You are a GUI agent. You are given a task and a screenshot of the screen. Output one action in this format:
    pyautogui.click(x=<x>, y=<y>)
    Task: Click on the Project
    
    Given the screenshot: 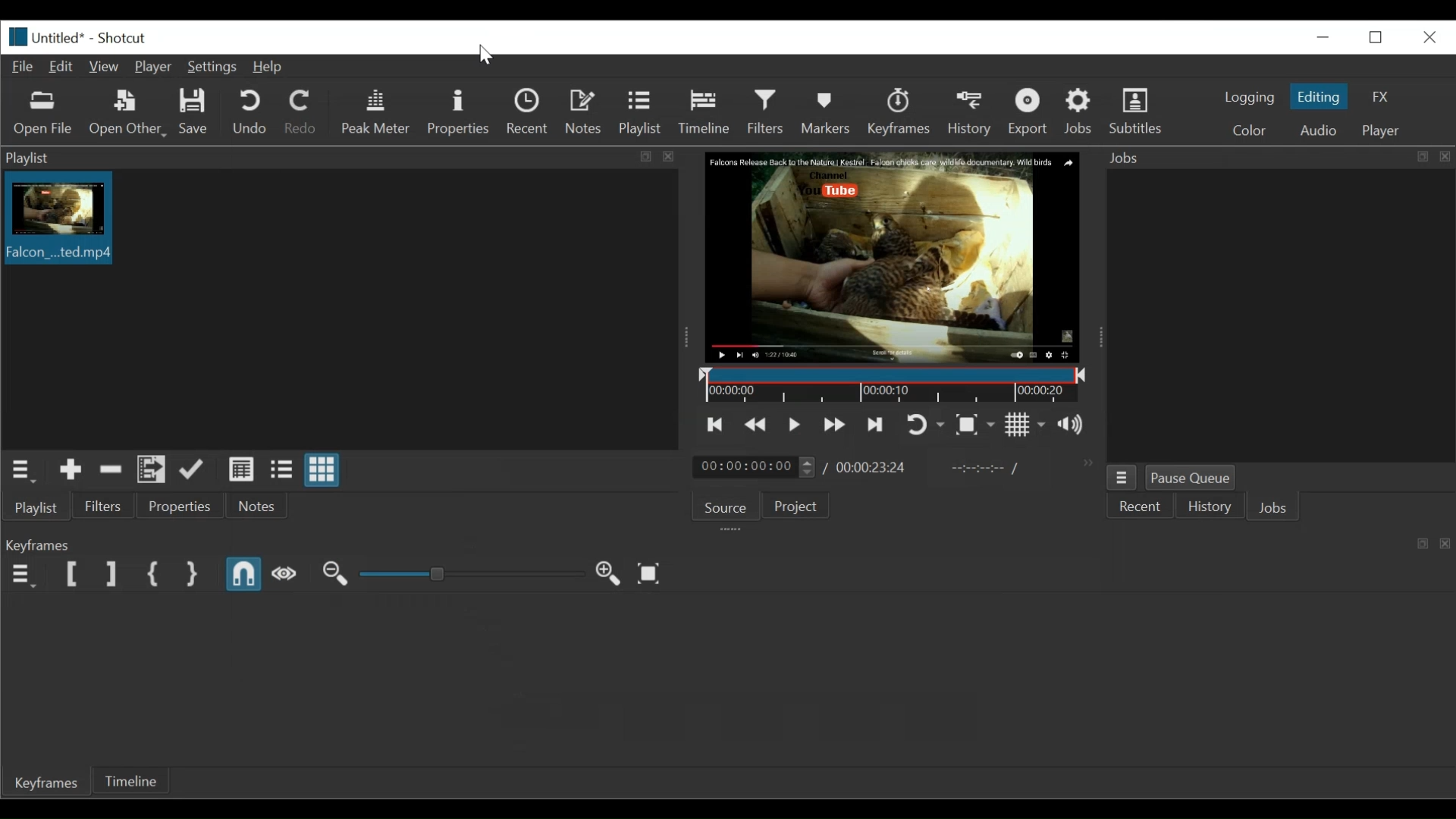 What is the action you would take?
    pyautogui.click(x=802, y=507)
    